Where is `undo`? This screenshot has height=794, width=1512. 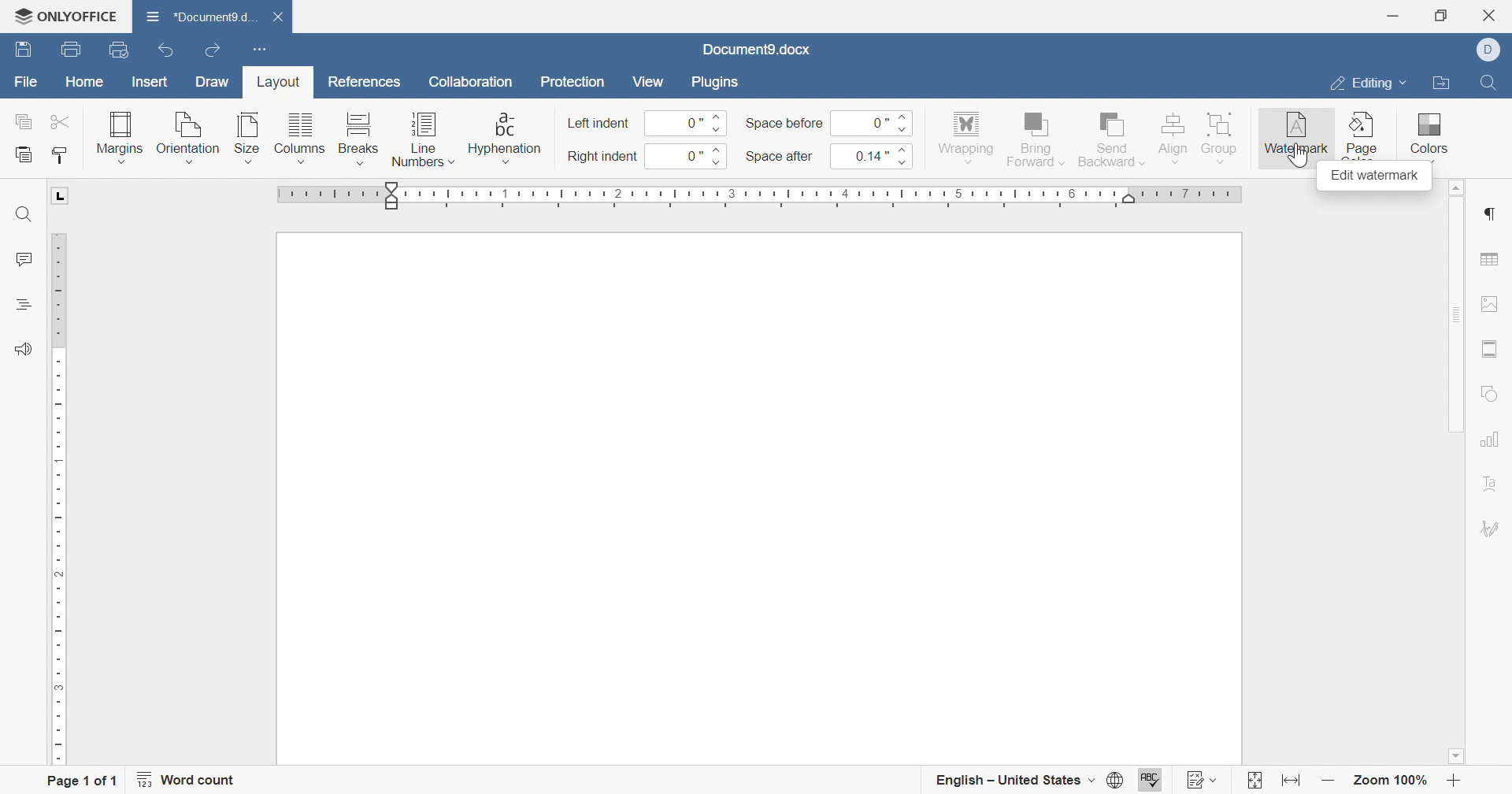
undo is located at coordinates (171, 52).